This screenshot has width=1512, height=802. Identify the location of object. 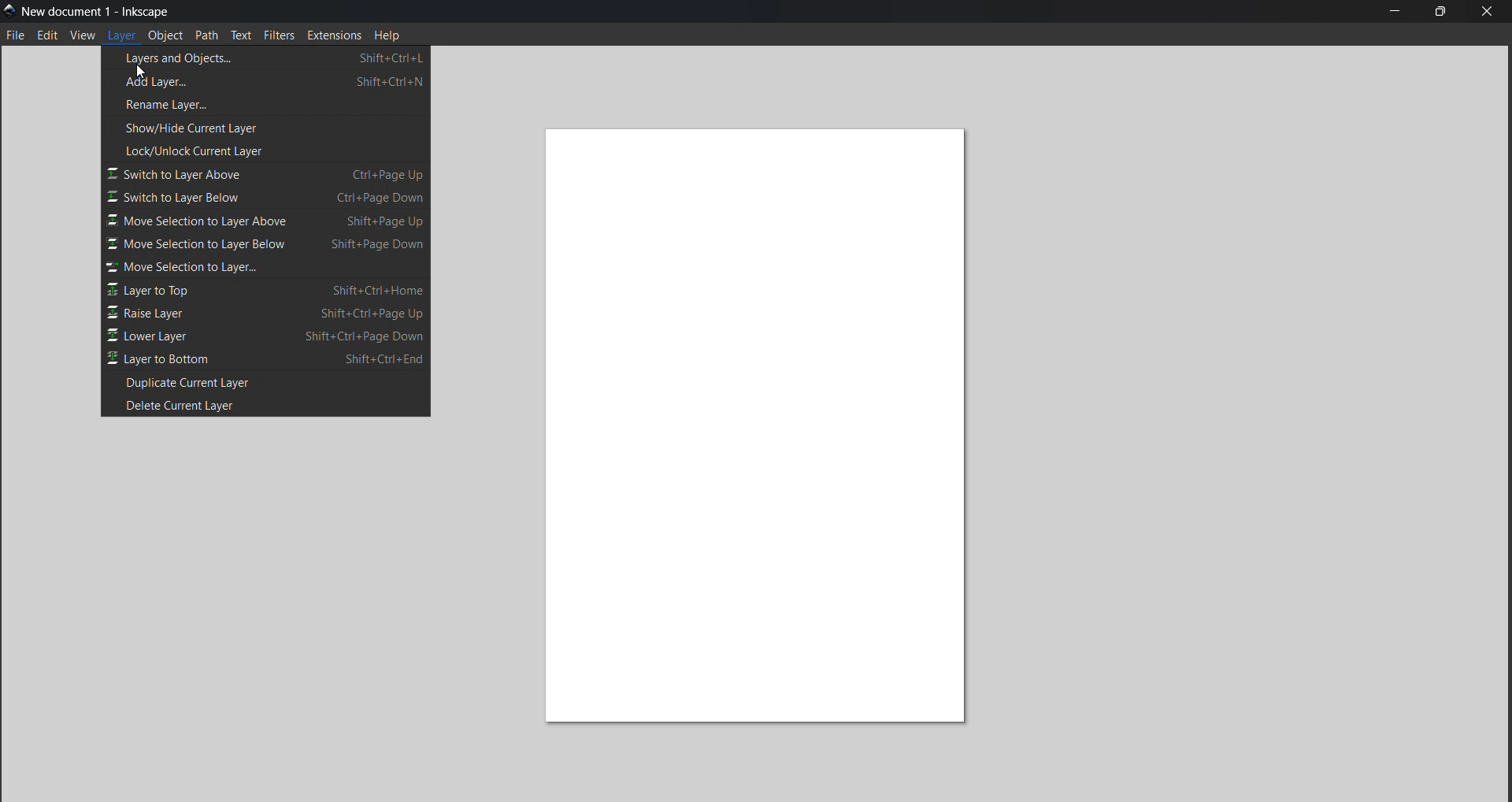
(167, 36).